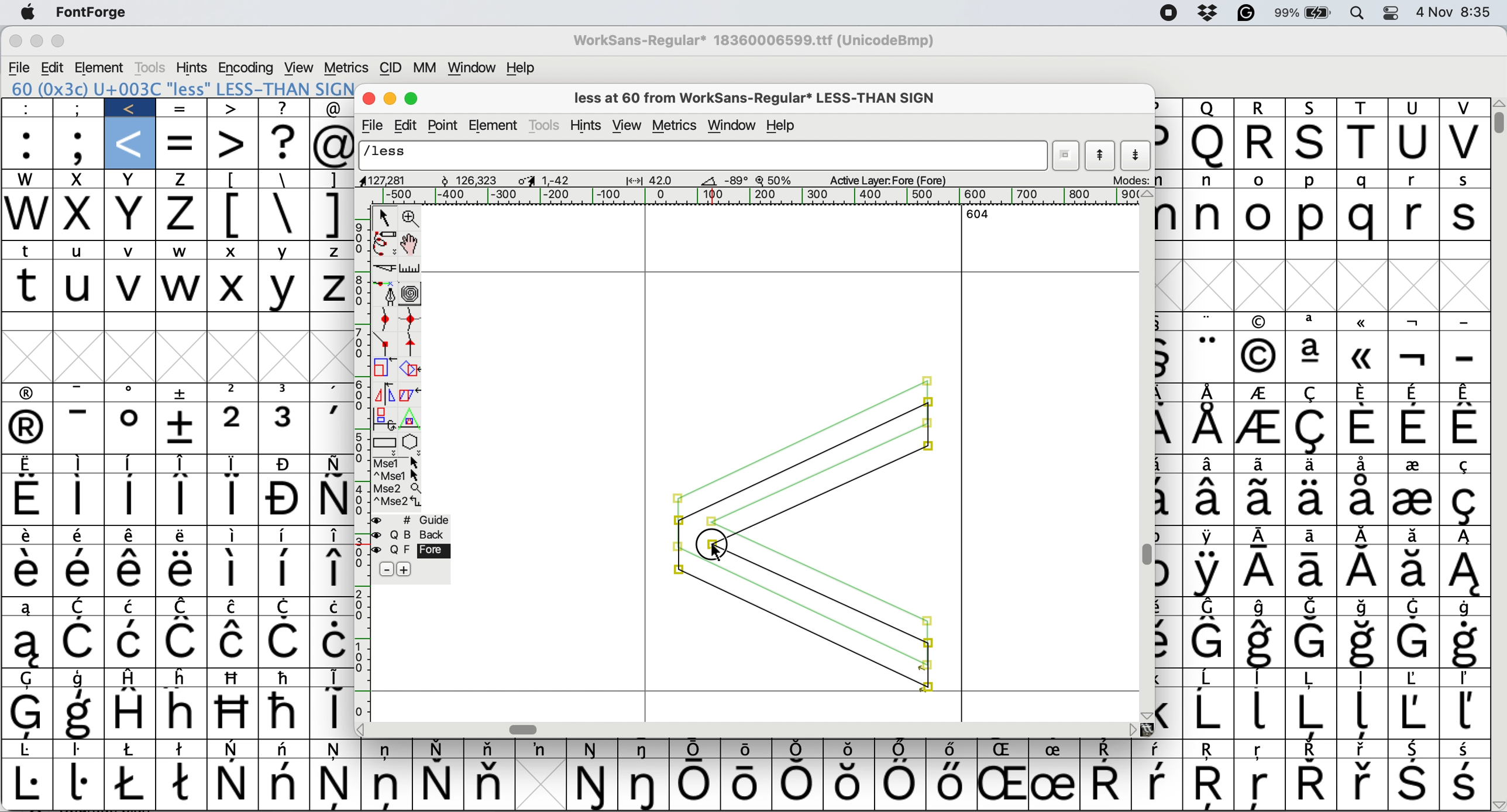 The image size is (1507, 812). What do you see at coordinates (150, 68) in the screenshot?
I see `tools` at bounding box center [150, 68].